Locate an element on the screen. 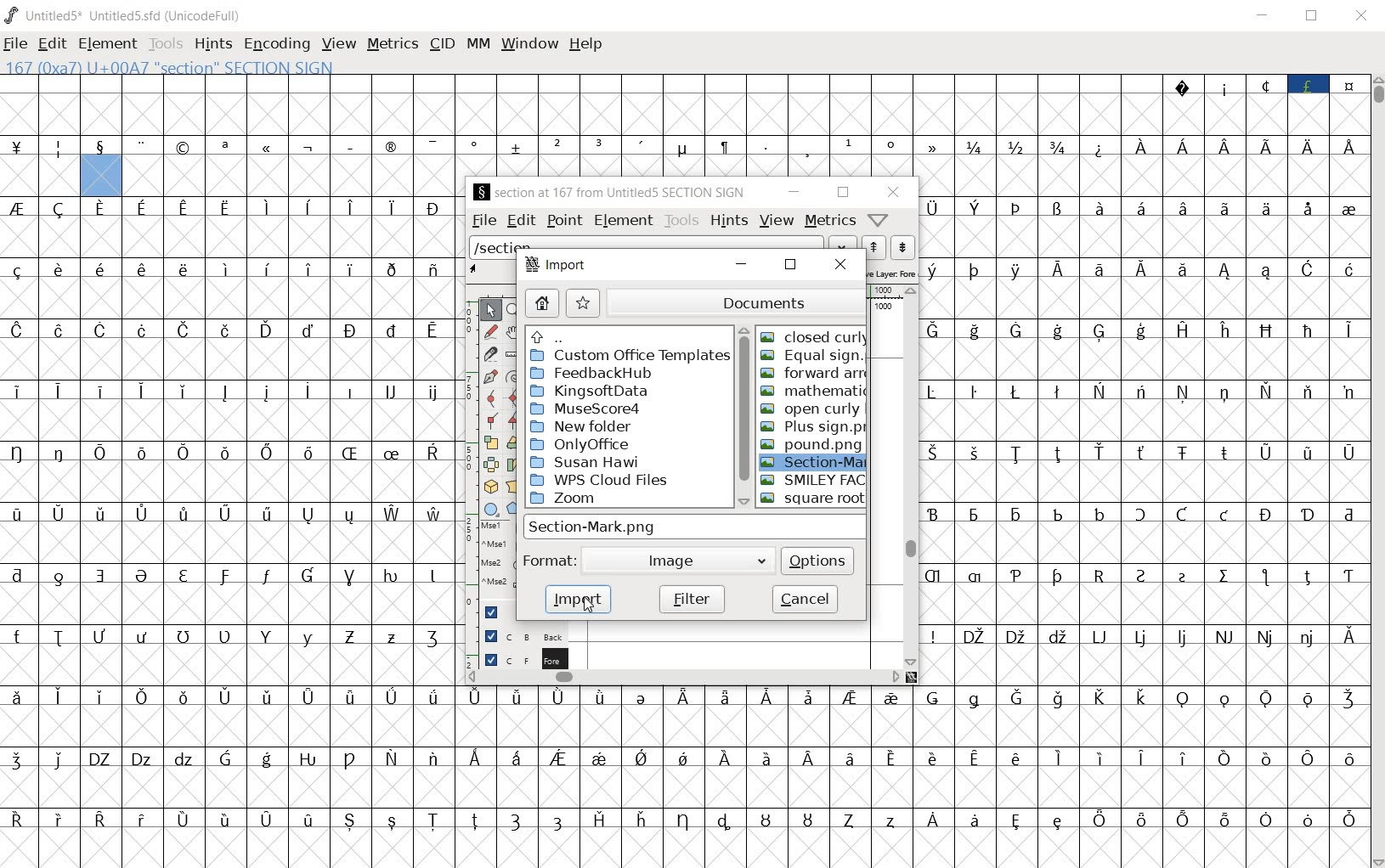 The width and height of the screenshot is (1385, 868). section-mark.png is located at coordinates (695, 529).